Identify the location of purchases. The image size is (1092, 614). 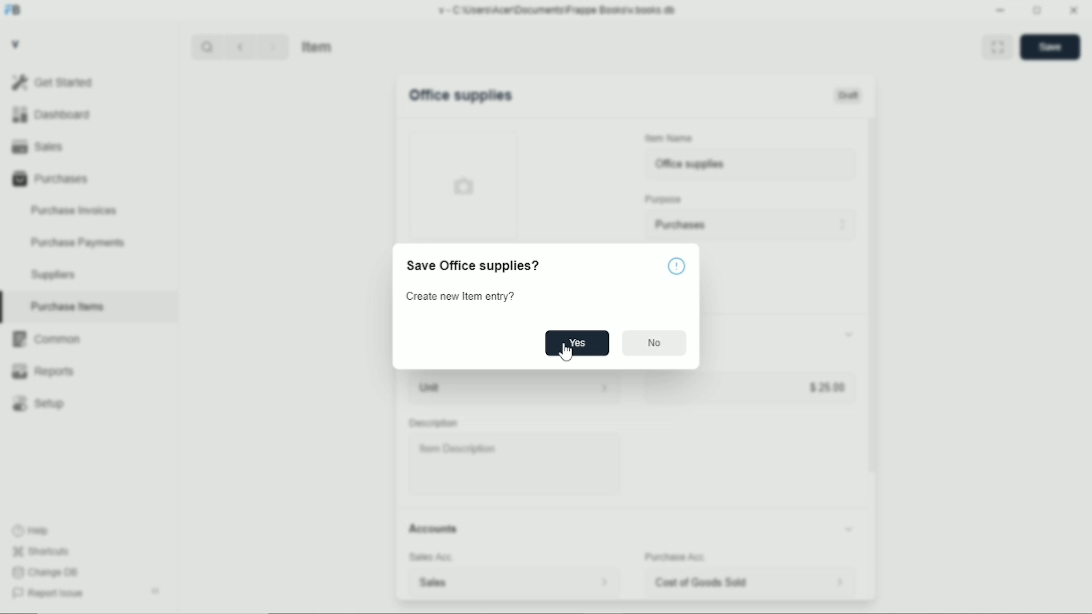
(51, 179).